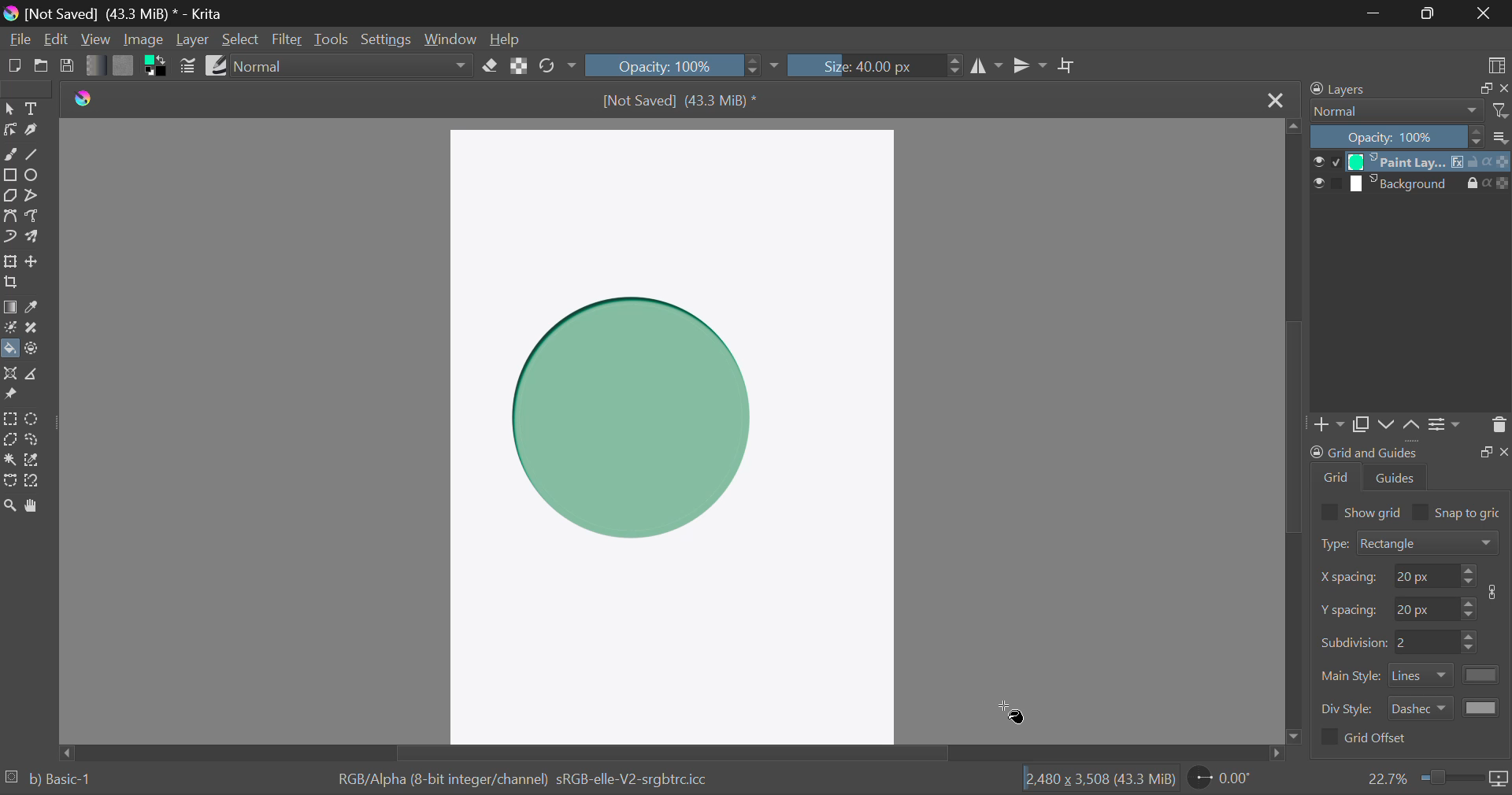  Describe the element at coordinates (35, 480) in the screenshot. I see `Magnetic Selection` at that location.